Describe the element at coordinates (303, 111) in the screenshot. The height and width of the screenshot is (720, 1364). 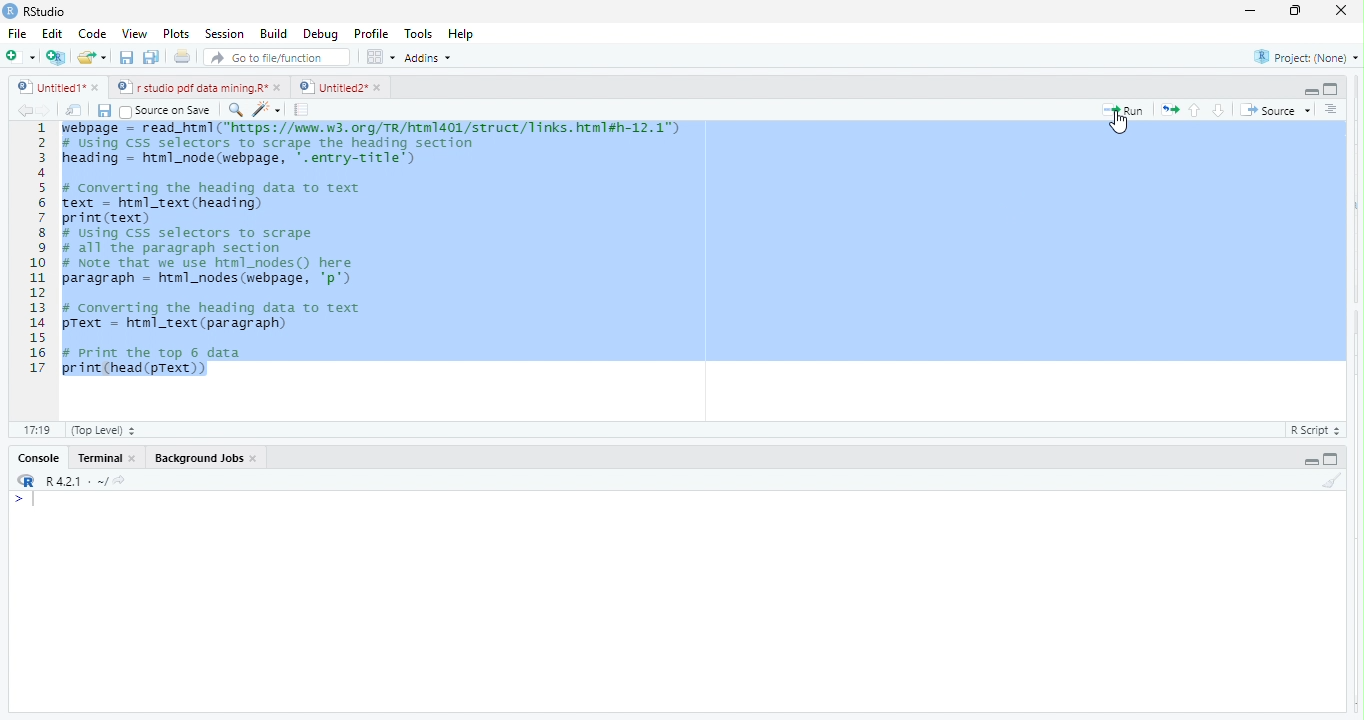
I see `compile report` at that location.